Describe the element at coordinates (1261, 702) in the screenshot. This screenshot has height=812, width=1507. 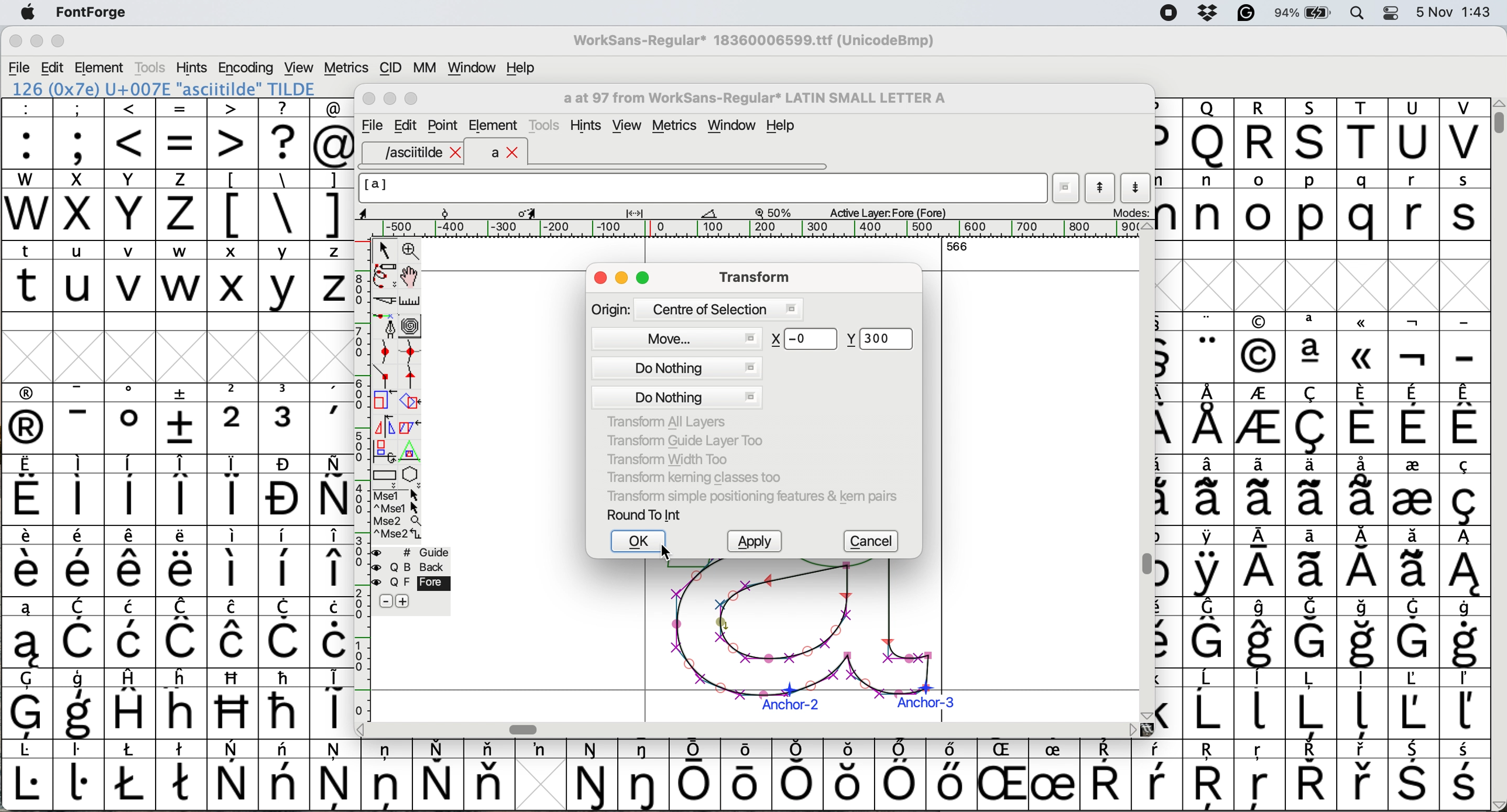
I see `symbol` at that location.